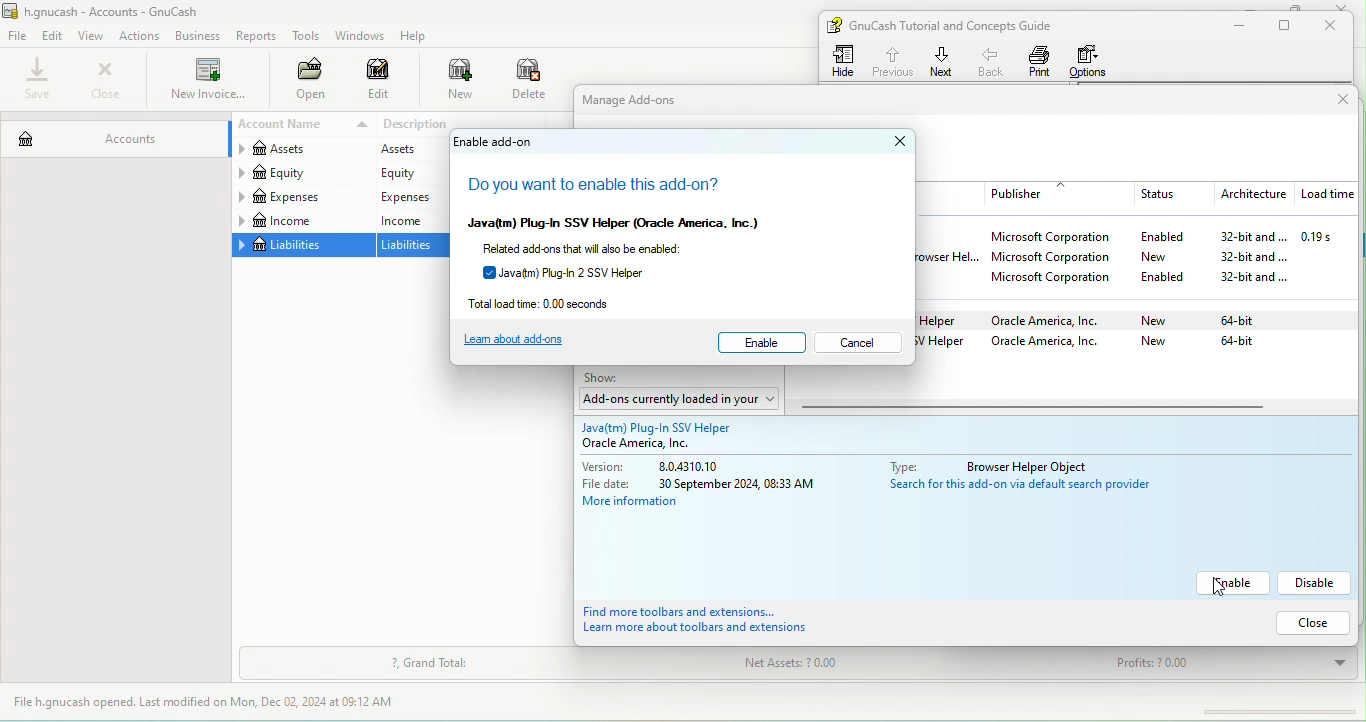 Image resolution: width=1366 pixels, height=722 pixels. Describe the element at coordinates (677, 398) in the screenshot. I see `add ons currently loaded in your ` at that location.